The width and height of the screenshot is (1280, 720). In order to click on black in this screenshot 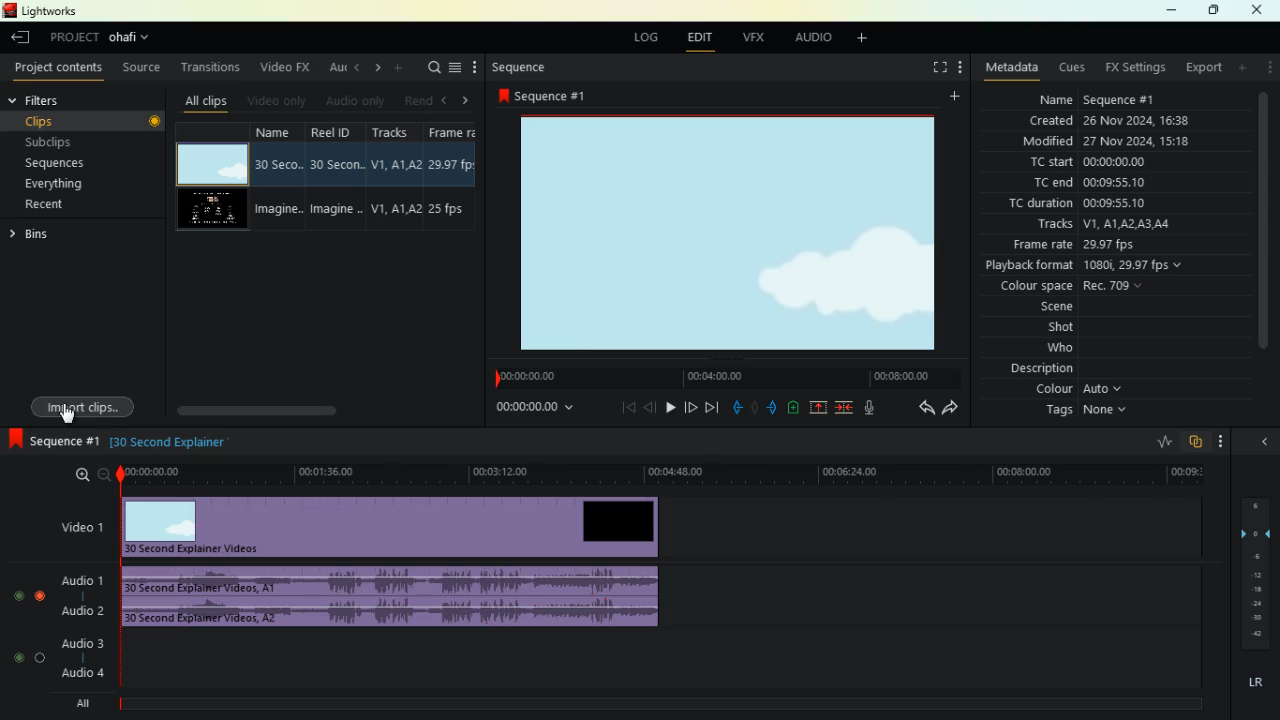, I will do `click(126, 442)`.